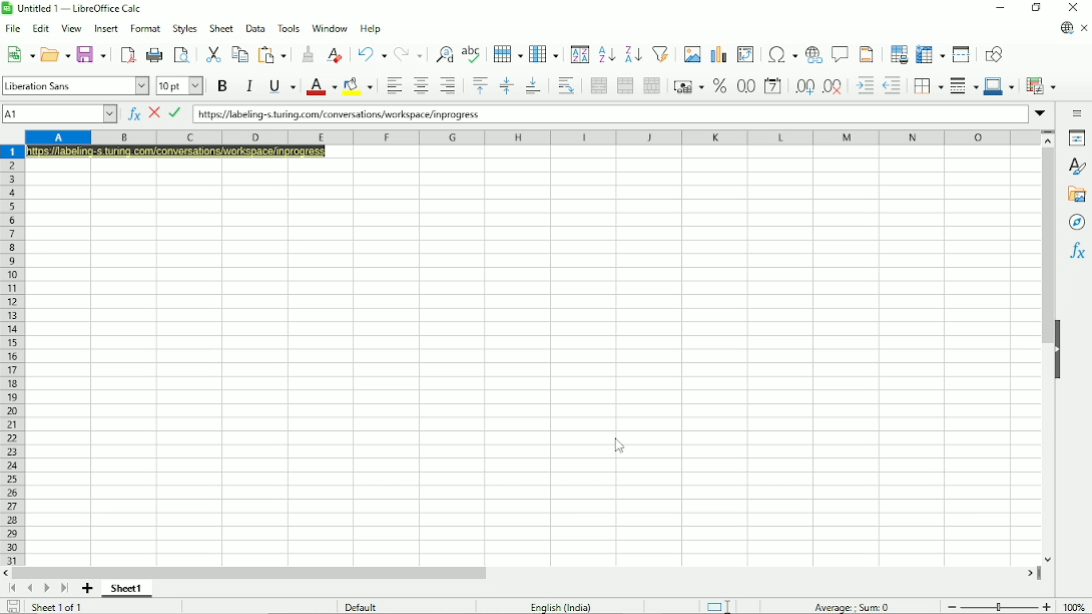 The image size is (1092, 614). What do you see at coordinates (479, 84) in the screenshot?
I see `Align top` at bounding box center [479, 84].